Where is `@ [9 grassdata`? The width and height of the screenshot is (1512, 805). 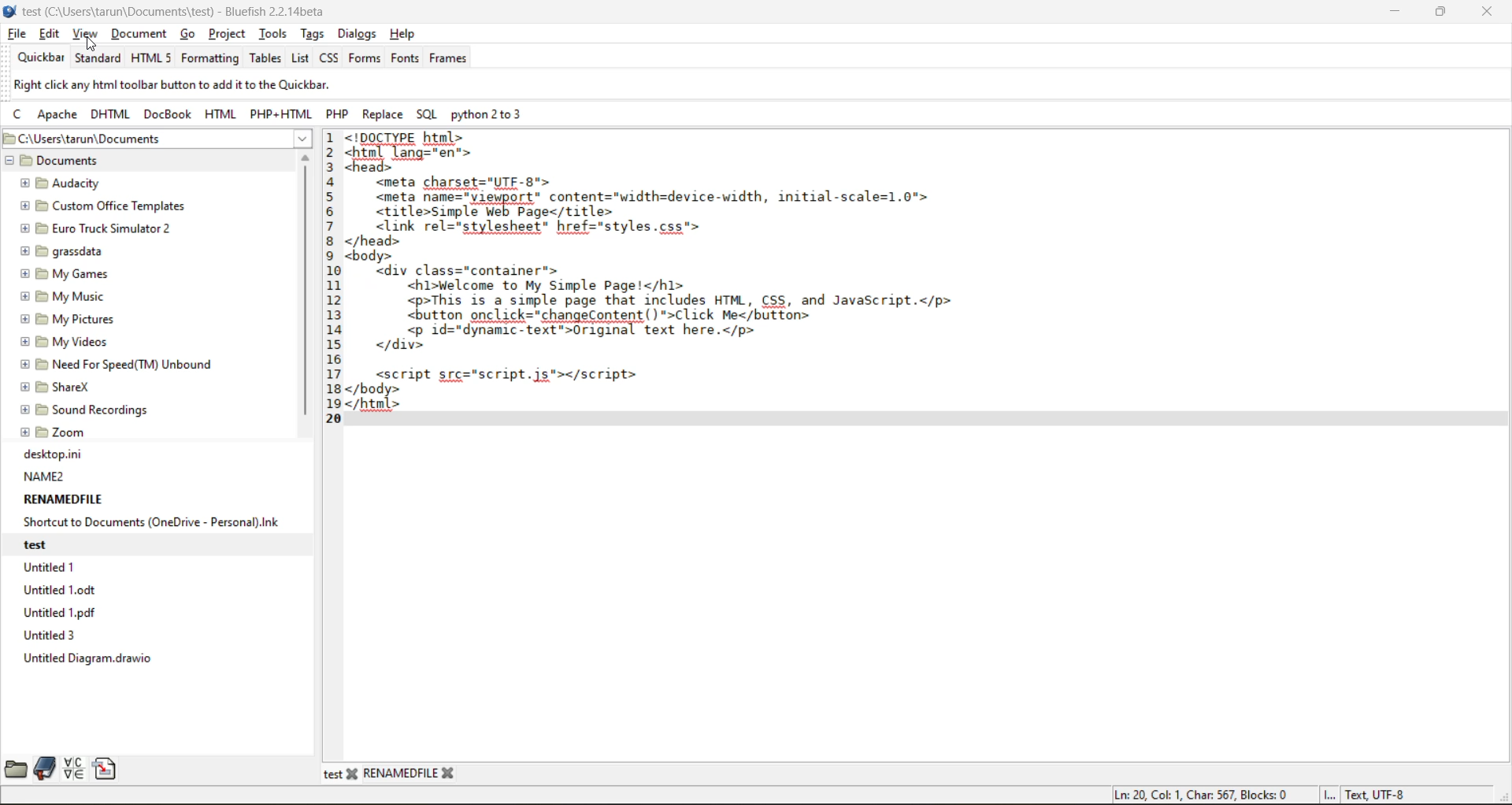
@ [9 grassdata is located at coordinates (62, 250).